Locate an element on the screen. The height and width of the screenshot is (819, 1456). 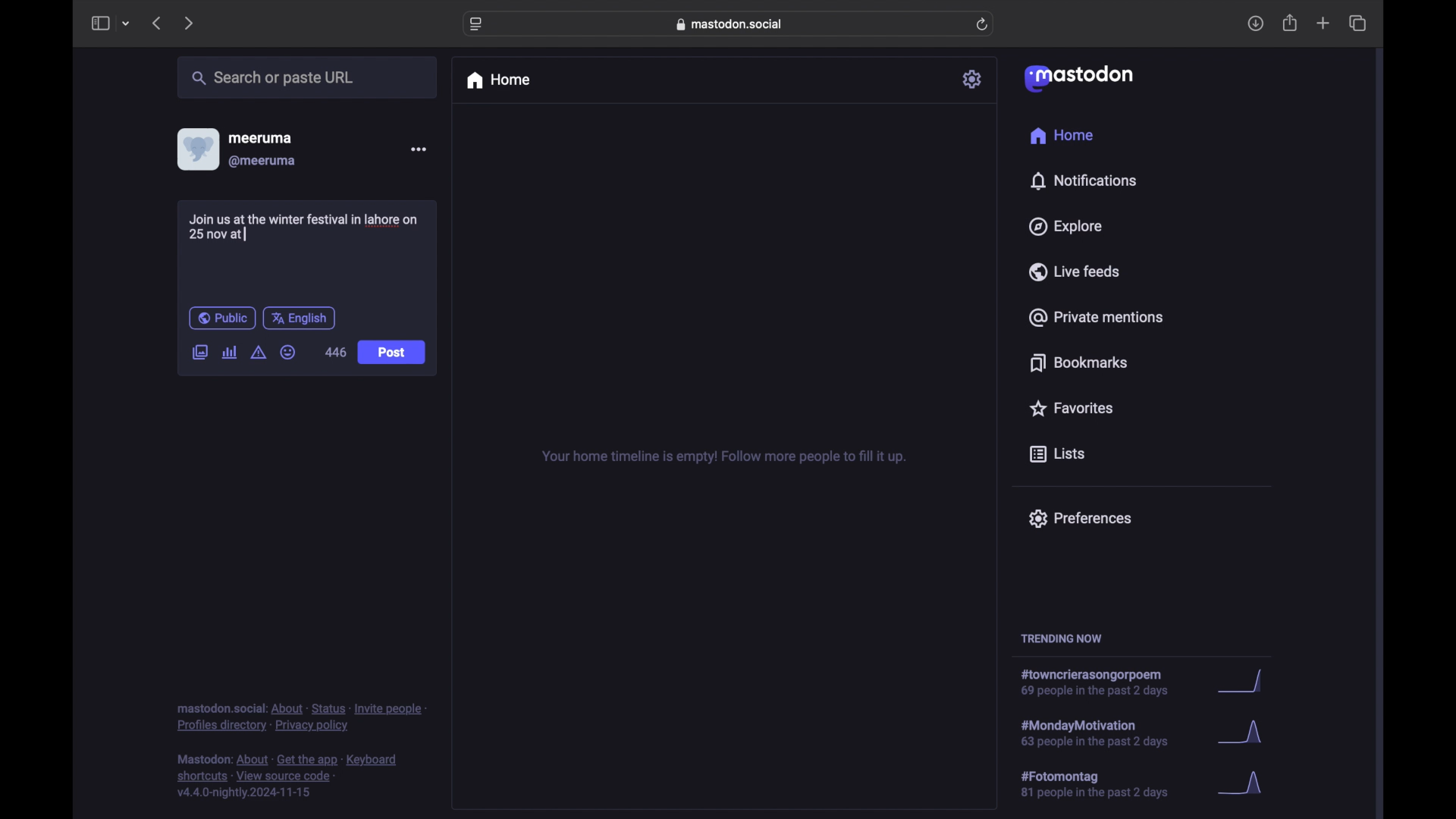
add content warning is located at coordinates (258, 353).